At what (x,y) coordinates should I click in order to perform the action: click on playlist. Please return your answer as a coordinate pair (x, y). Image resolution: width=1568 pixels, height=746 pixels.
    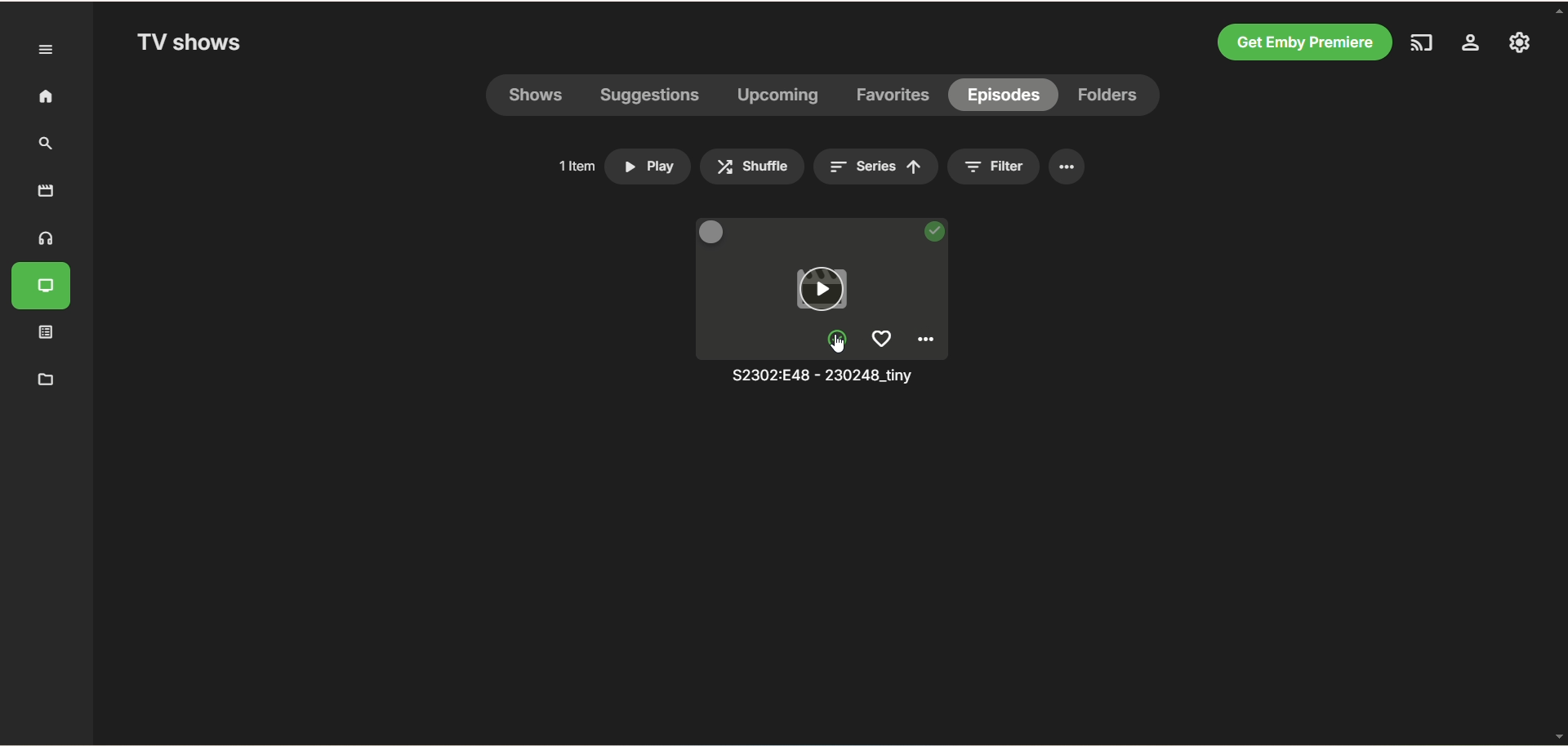
    Looking at the image, I should click on (47, 335).